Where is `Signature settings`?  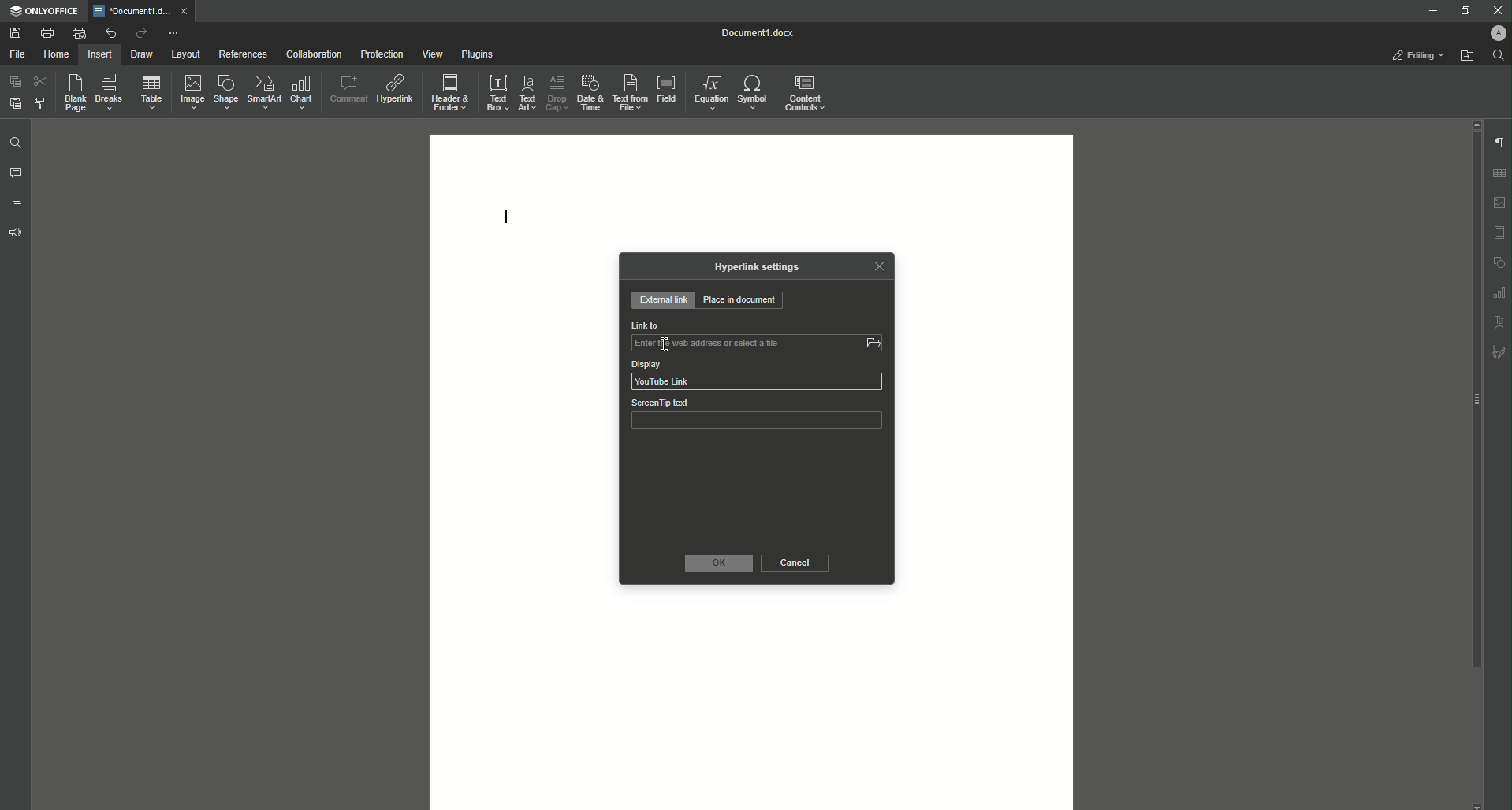 Signature settings is located at coordinates (1501, 351).